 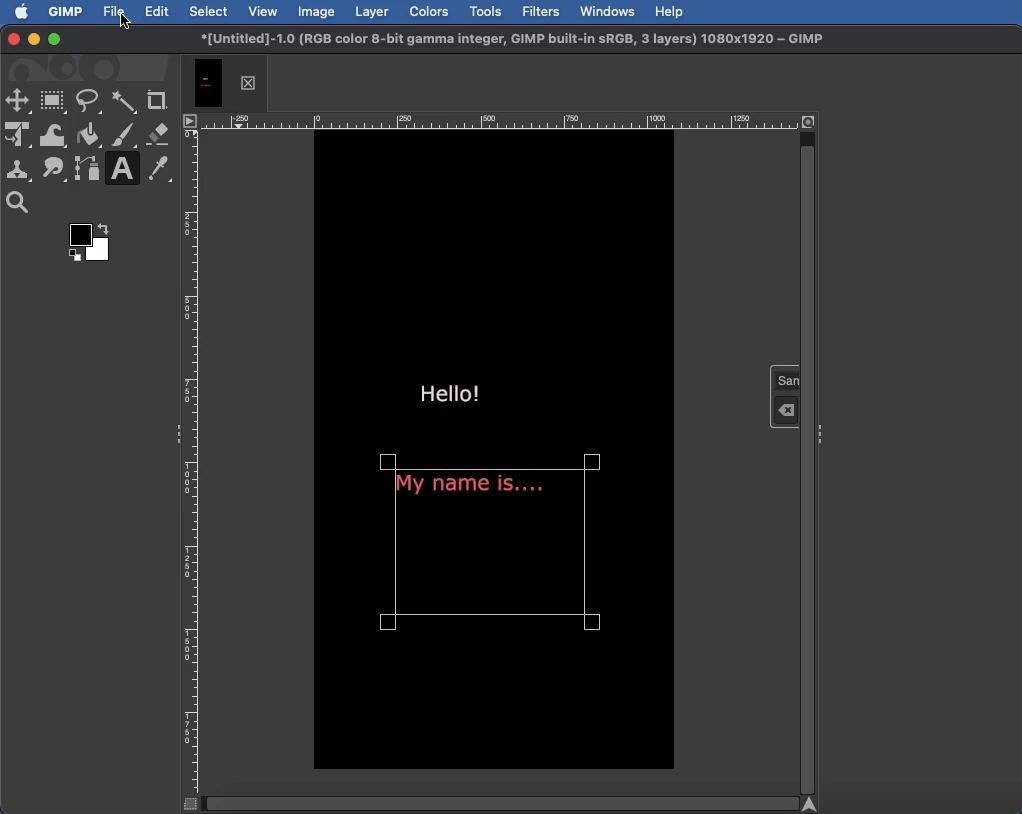 What do you see at coordinates (608, 12) in the screenshot?
I see `Windows` at bounding box center [608, 12].